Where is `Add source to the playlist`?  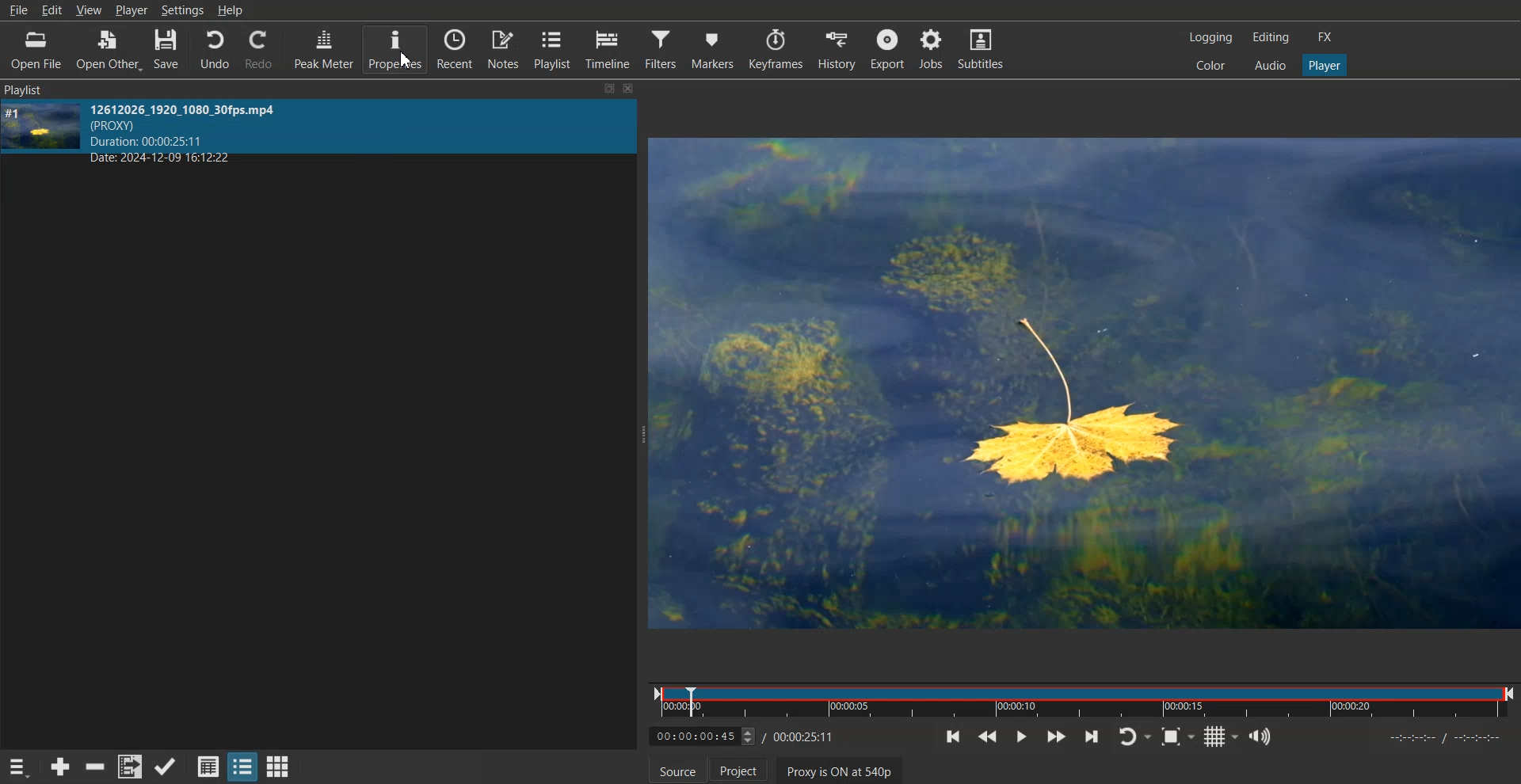
Add source to the playlist is located at coordinates (60, 766).